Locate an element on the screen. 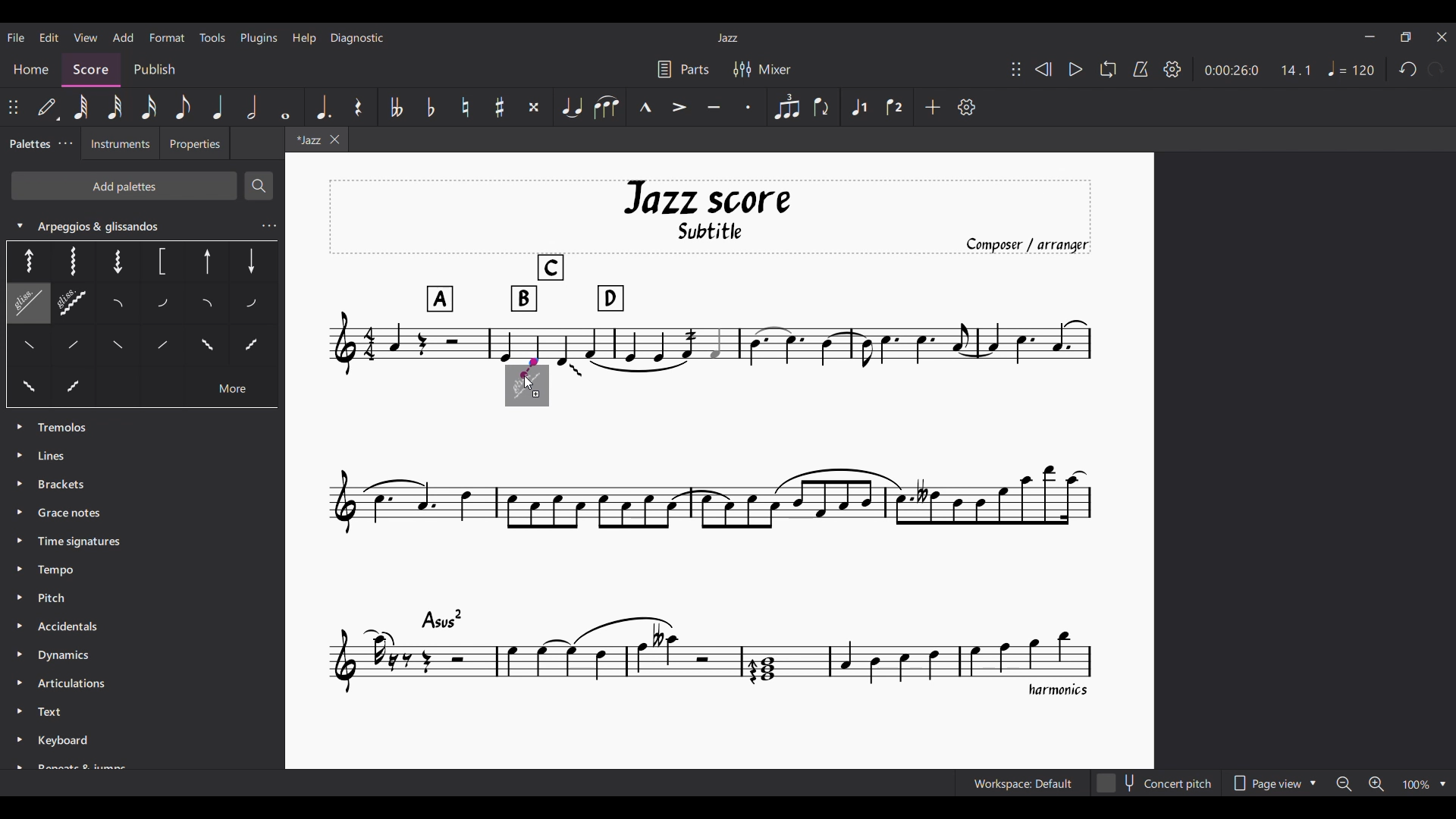 Image resolution: width=1456 pixels, height=819 pixels. Collapse is located at coordinates (19, 225).